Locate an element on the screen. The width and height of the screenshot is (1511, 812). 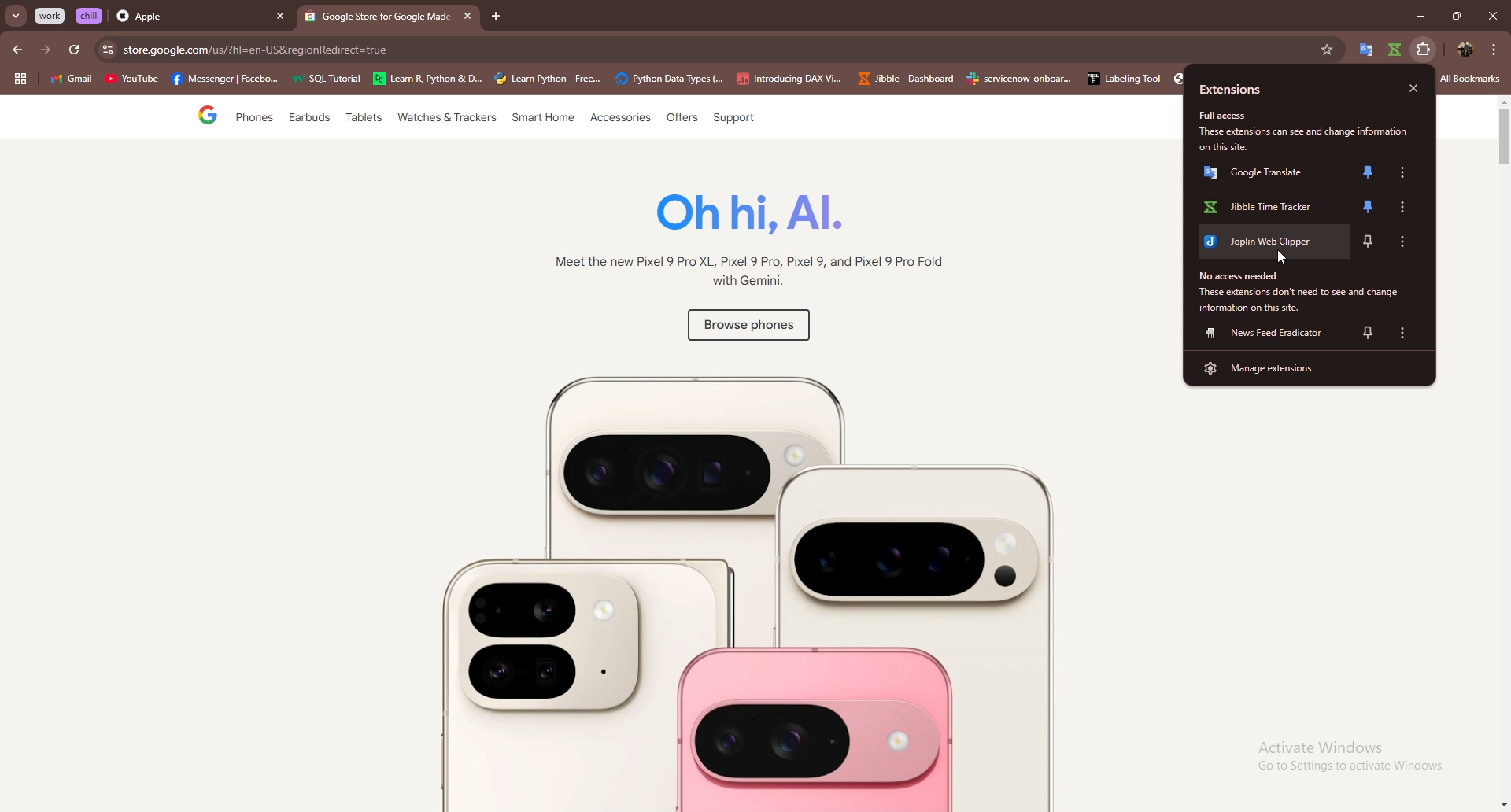
Jibble - Dashboard is located at coordinates (903, 79).